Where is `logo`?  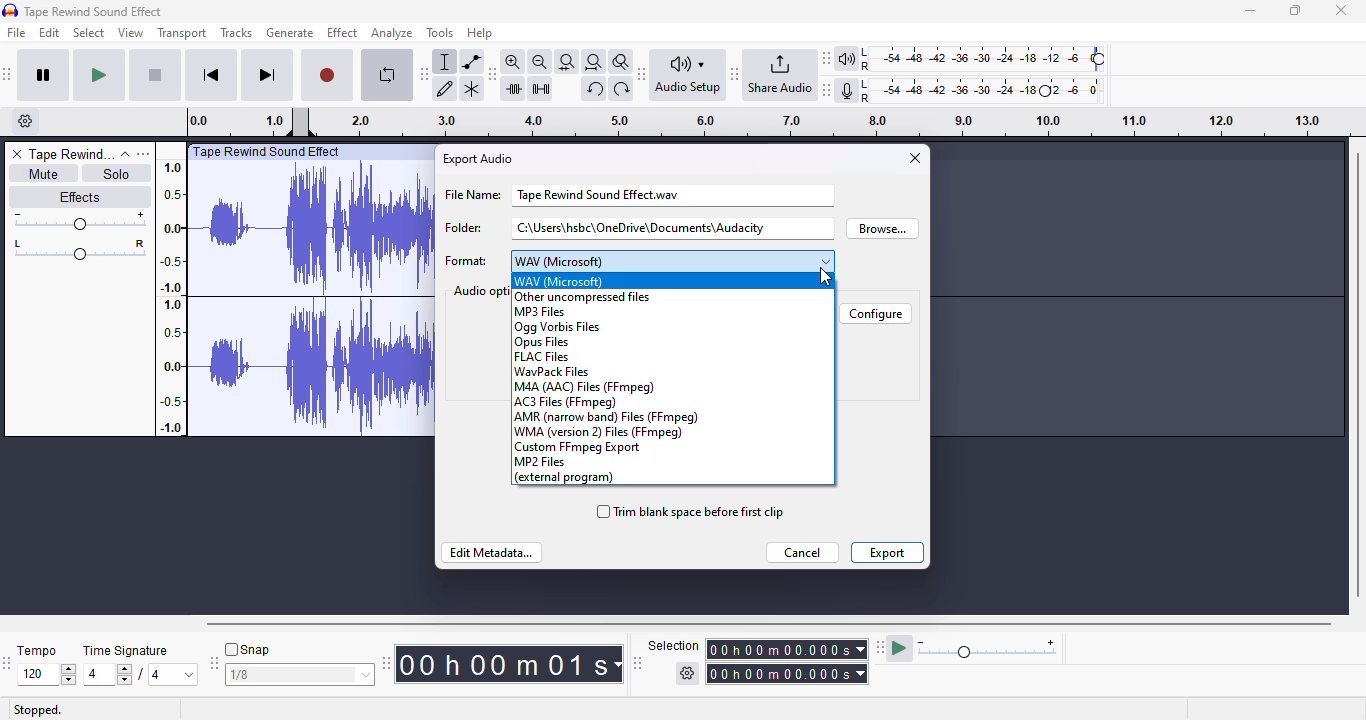
logo is located at coordinates (11, 10).